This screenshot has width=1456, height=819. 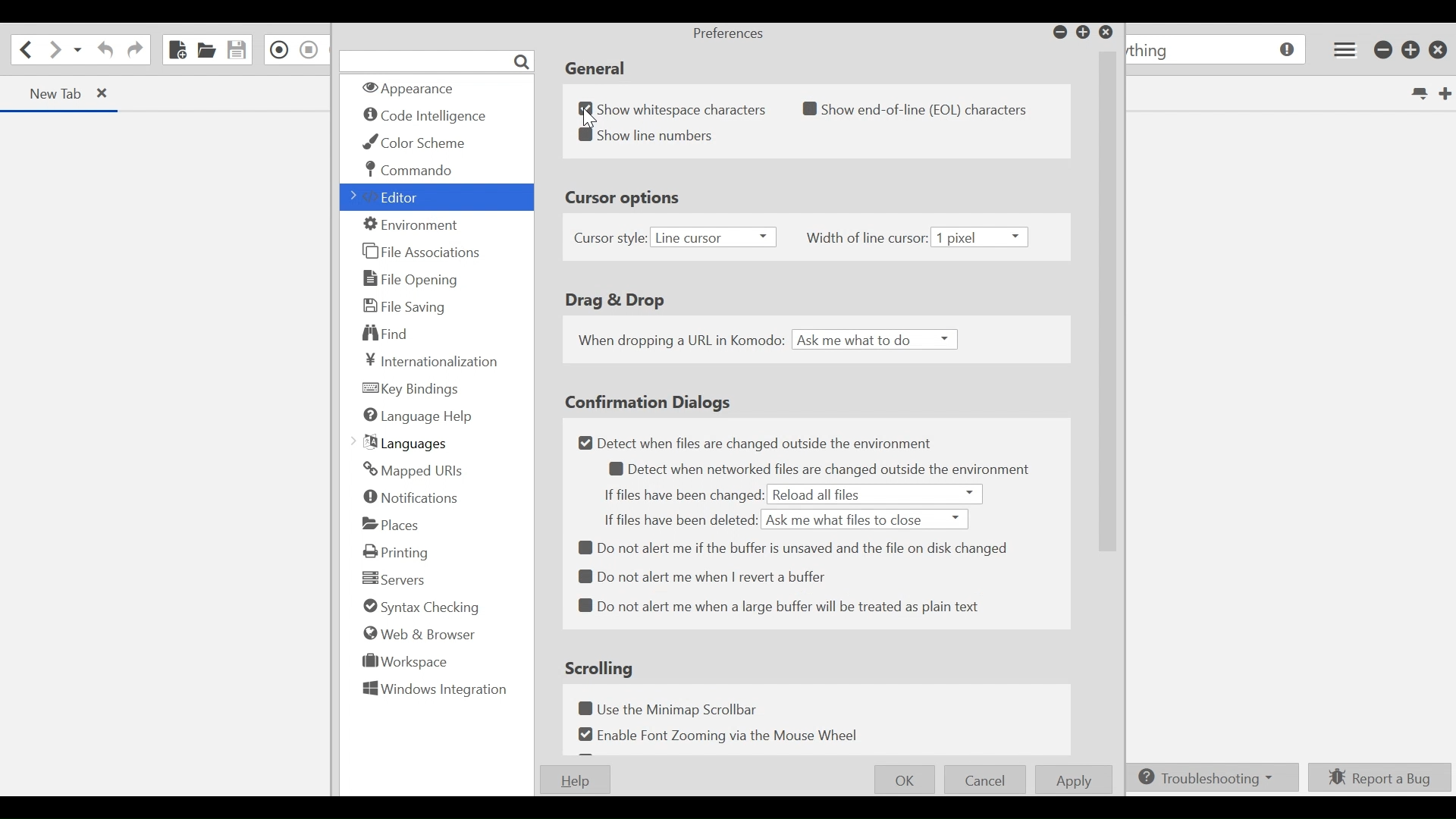 I want to click on Language Help, so click(x=417, y=416).